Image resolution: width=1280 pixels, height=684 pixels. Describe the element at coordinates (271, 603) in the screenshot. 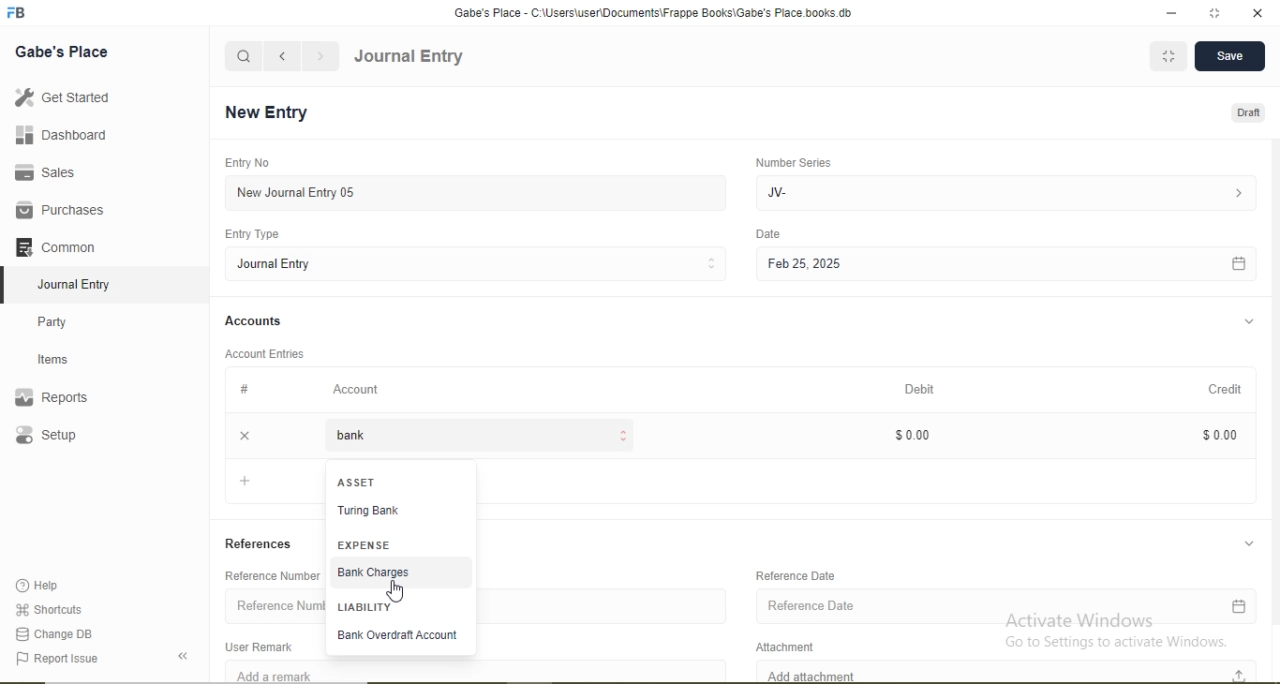

I see `Reference Number` at that location.